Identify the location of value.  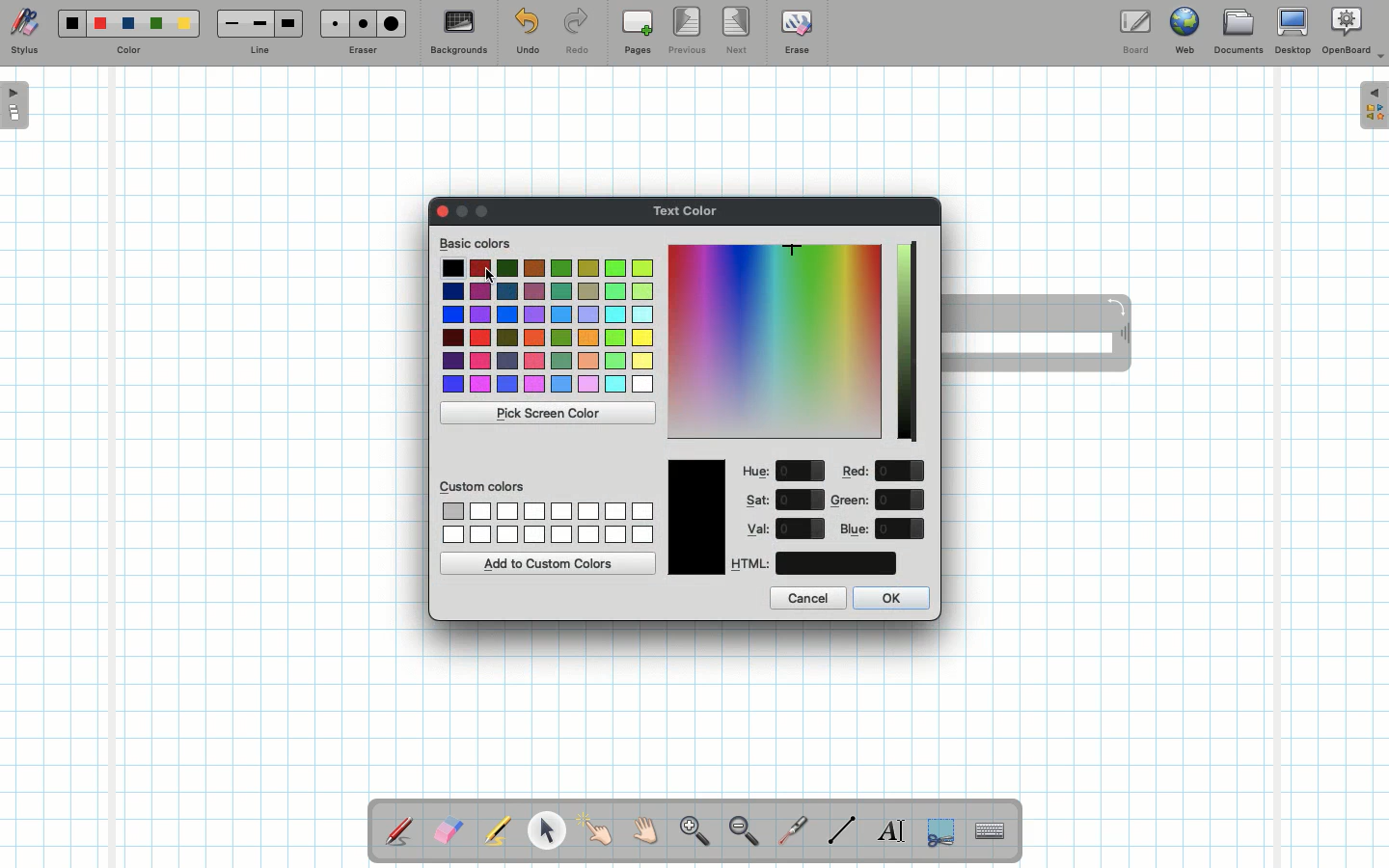
(801, 500).